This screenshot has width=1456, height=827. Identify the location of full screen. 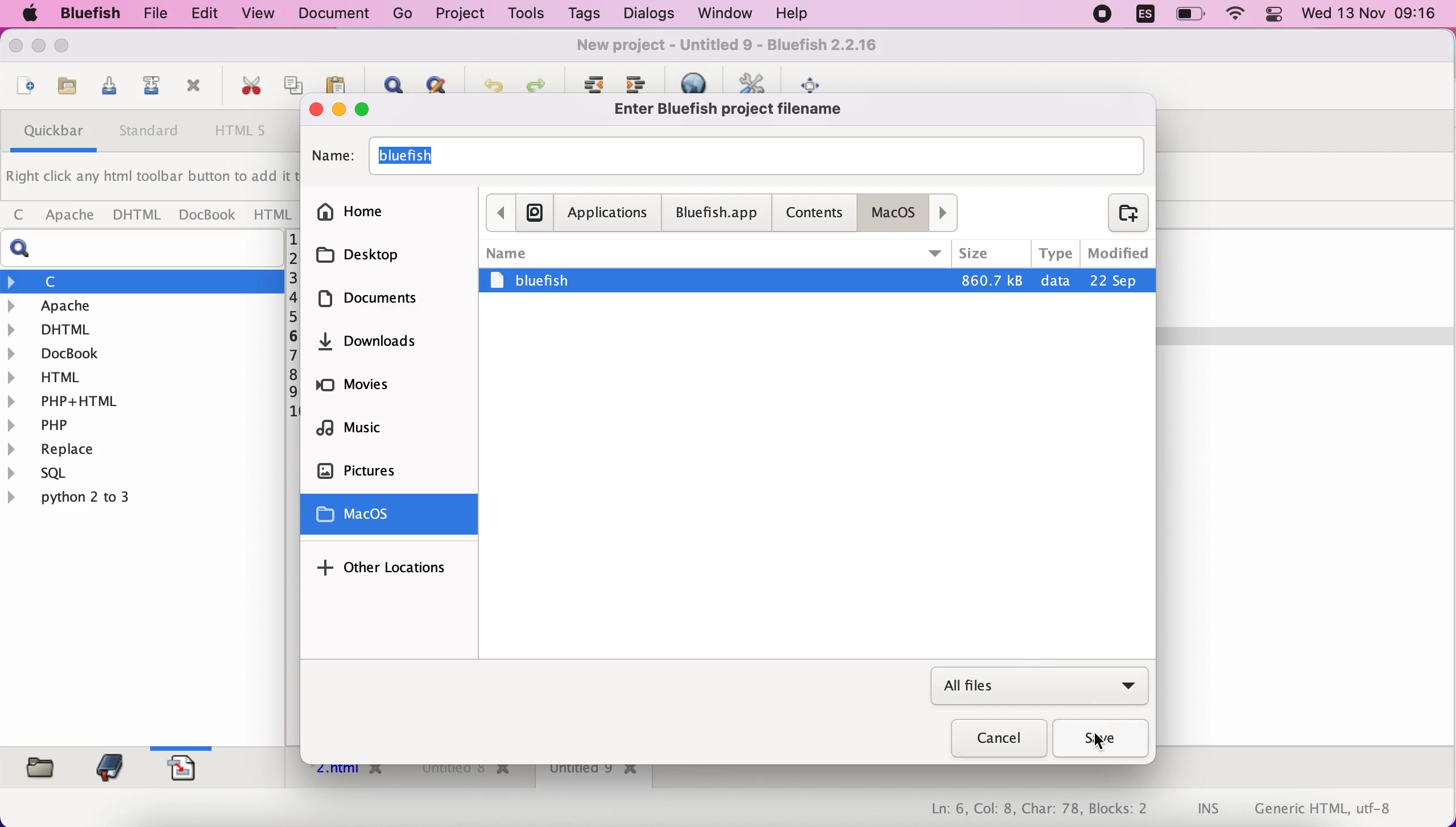
(816, 82).